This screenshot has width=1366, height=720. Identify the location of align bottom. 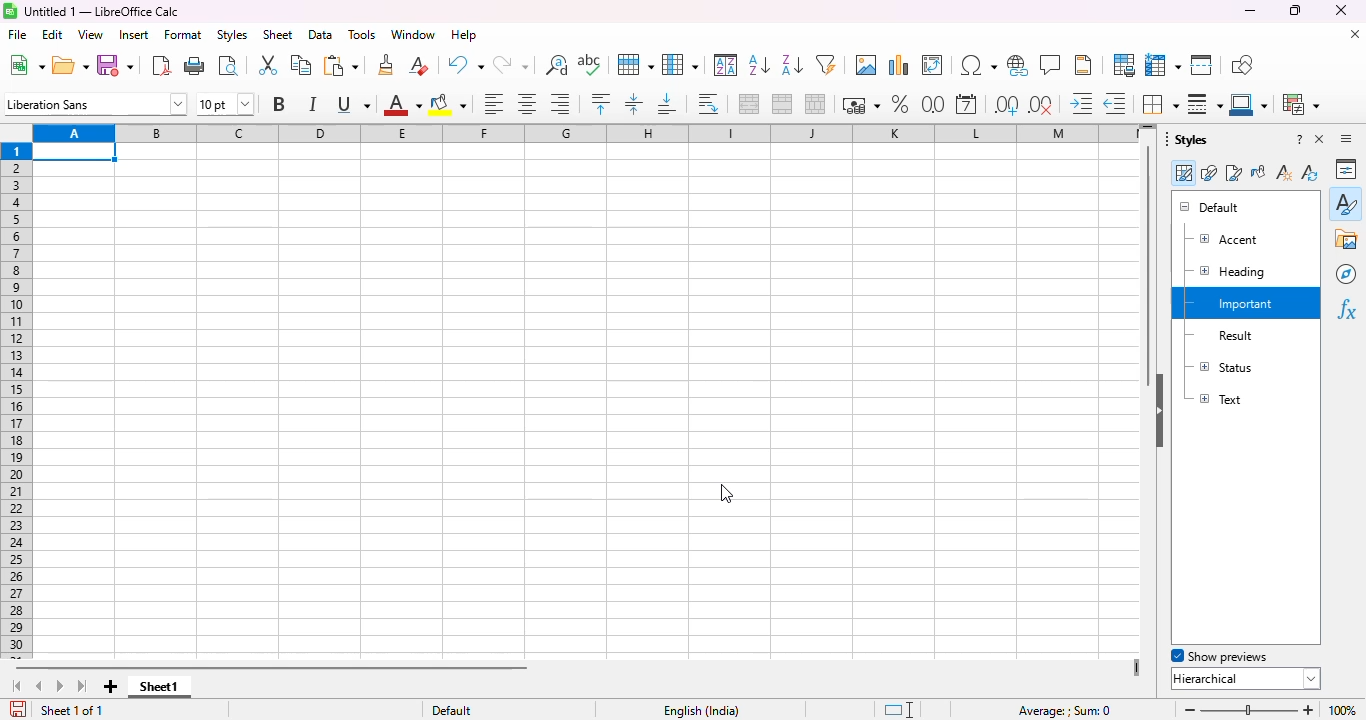
(665, 104).